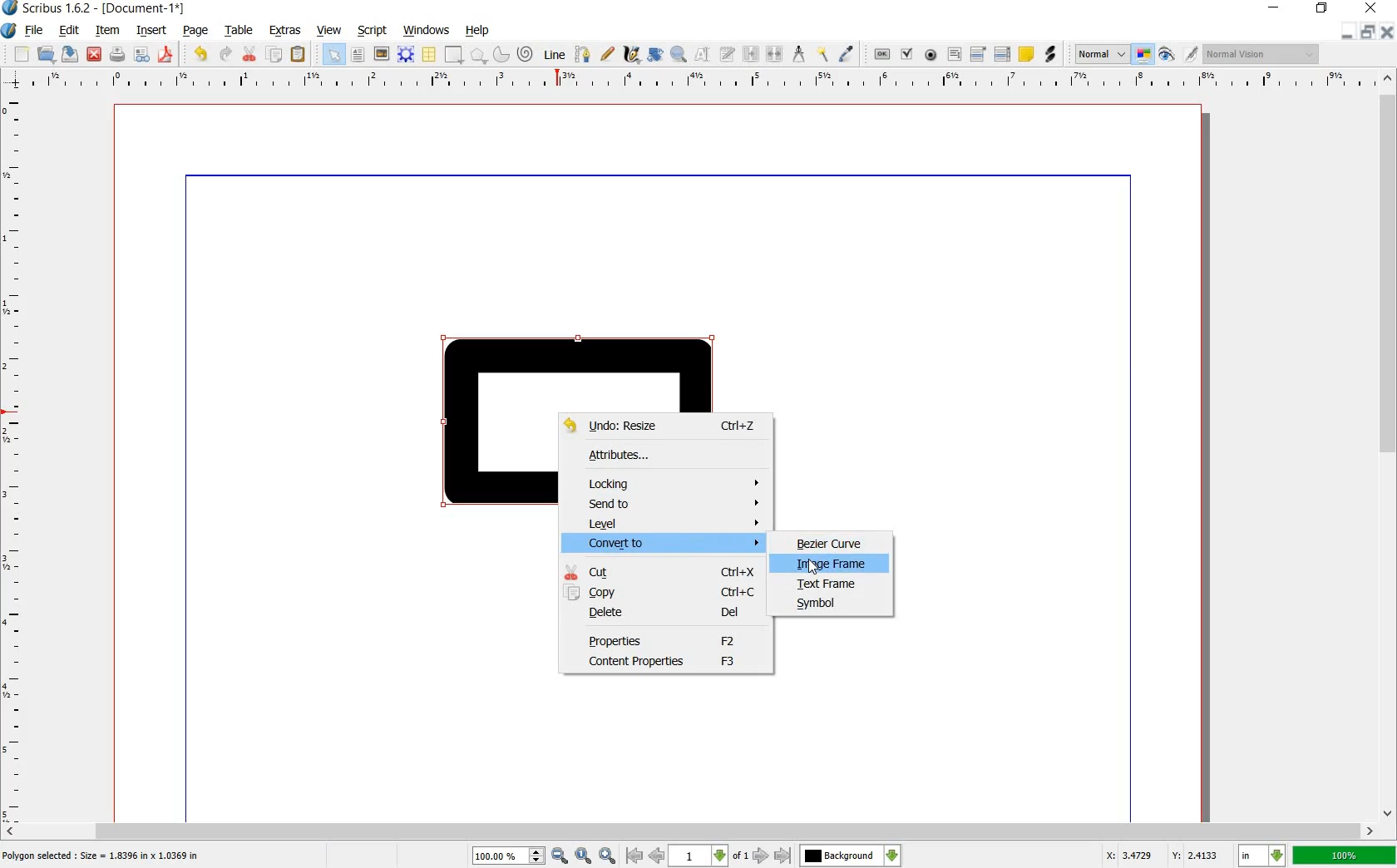 This screenshot has height=868, width=1397. What do you see at coordinates (1199, 854) in the screenshot?
I see `coordinate y:2.4133` at bounding box center [1199, 854].